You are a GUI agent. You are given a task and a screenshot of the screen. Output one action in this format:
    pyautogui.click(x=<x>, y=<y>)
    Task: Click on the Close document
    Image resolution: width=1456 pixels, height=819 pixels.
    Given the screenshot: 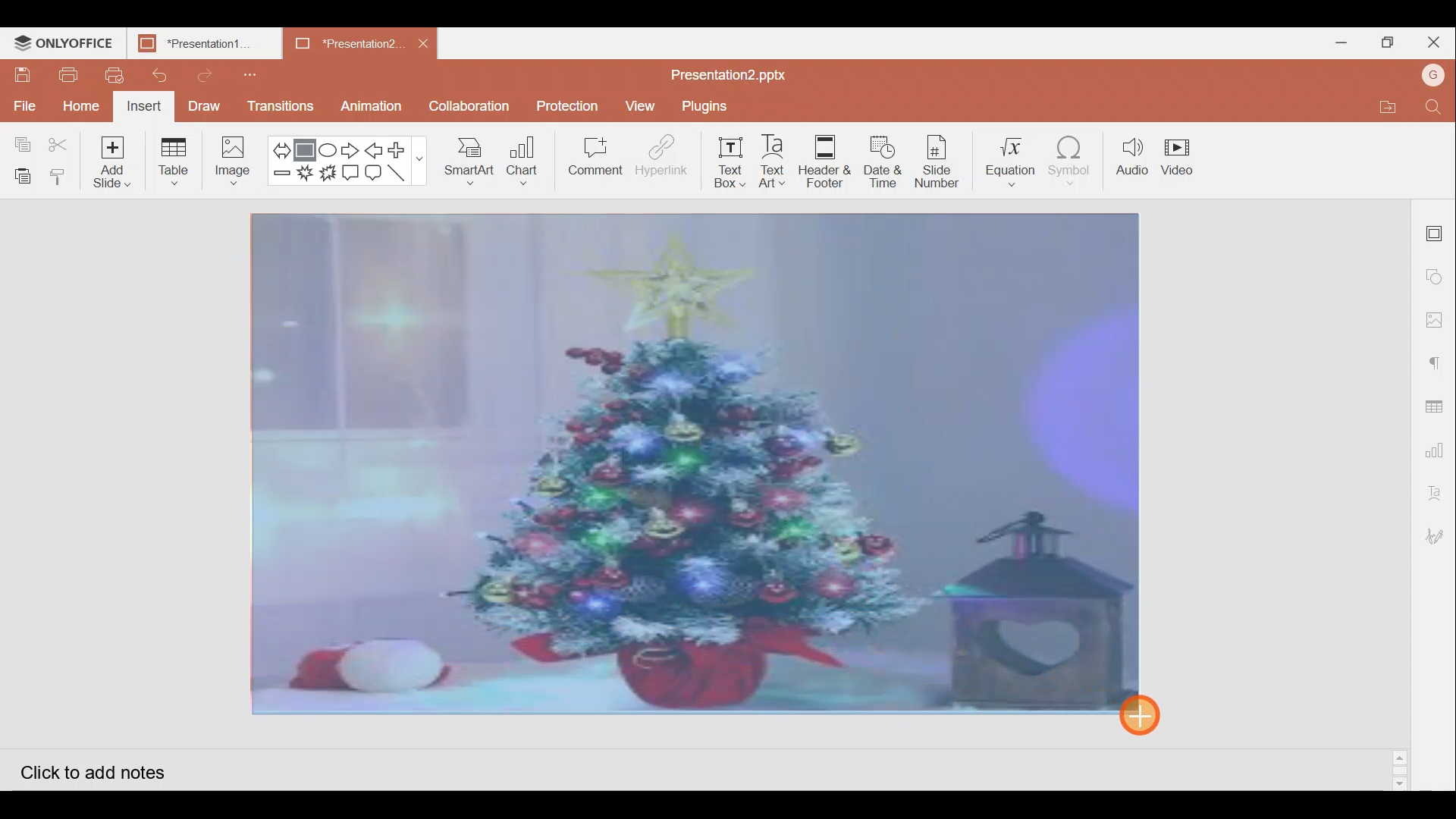 What is the action you would take?
    pyautogui.click(x=420, y=42)
    